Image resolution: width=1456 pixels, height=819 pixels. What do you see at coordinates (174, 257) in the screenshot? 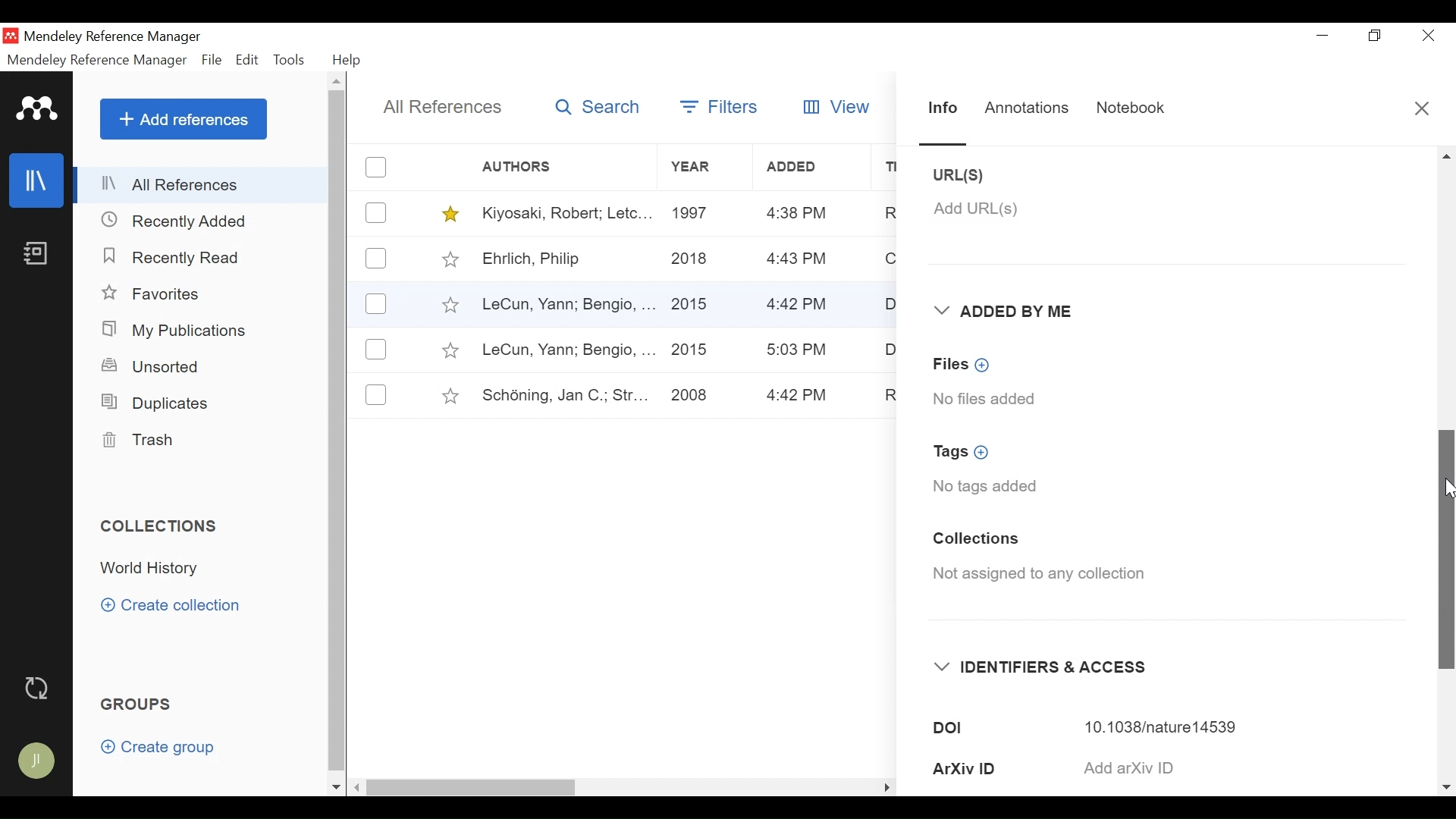
I see `Recently Read` at bounding box center [174, 257].